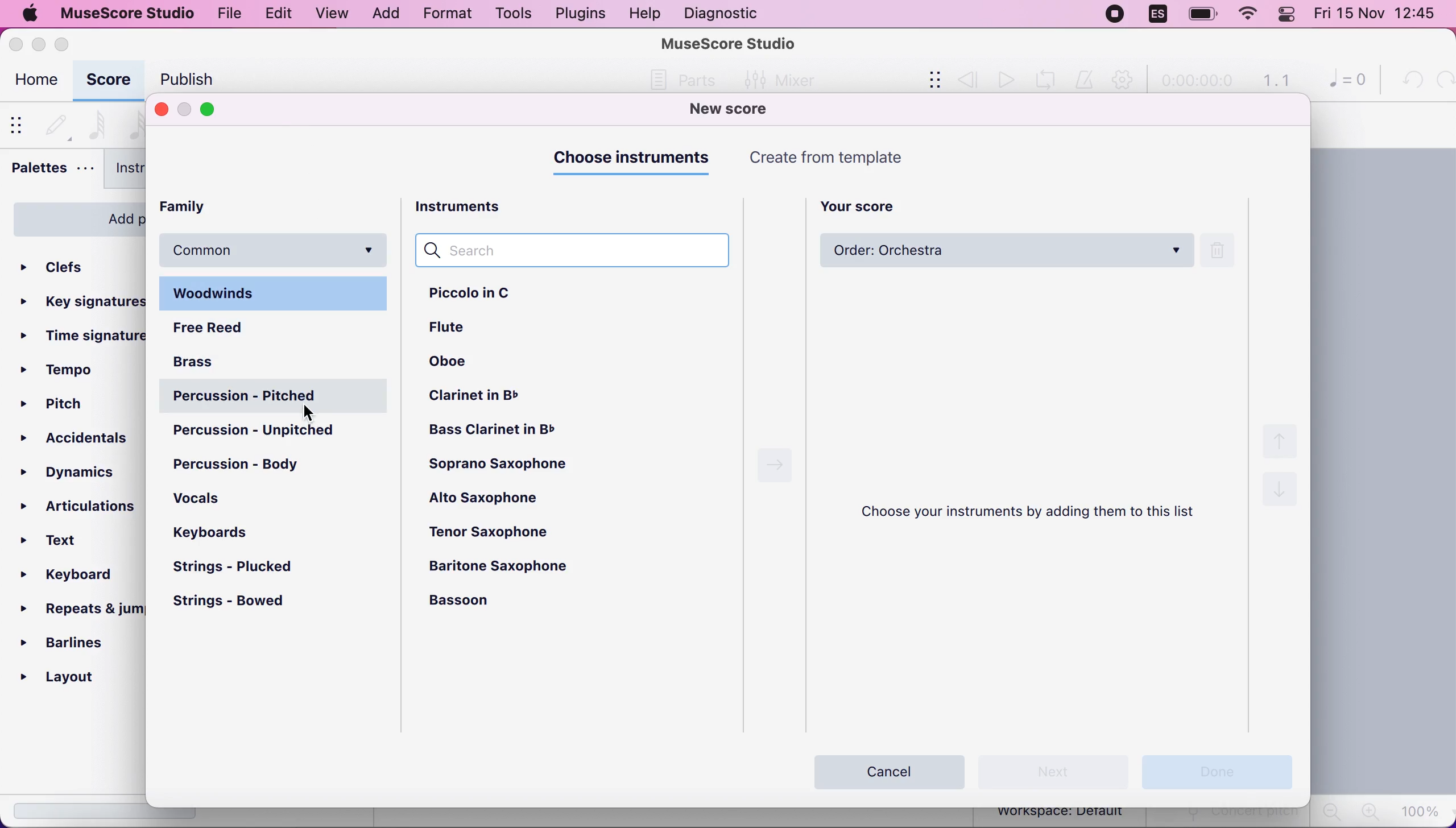 The image size is (1456, 828). What do you see at coordinates (75, 642) in the screenshot?
I see `barlines` at bounding box center [75, 642].